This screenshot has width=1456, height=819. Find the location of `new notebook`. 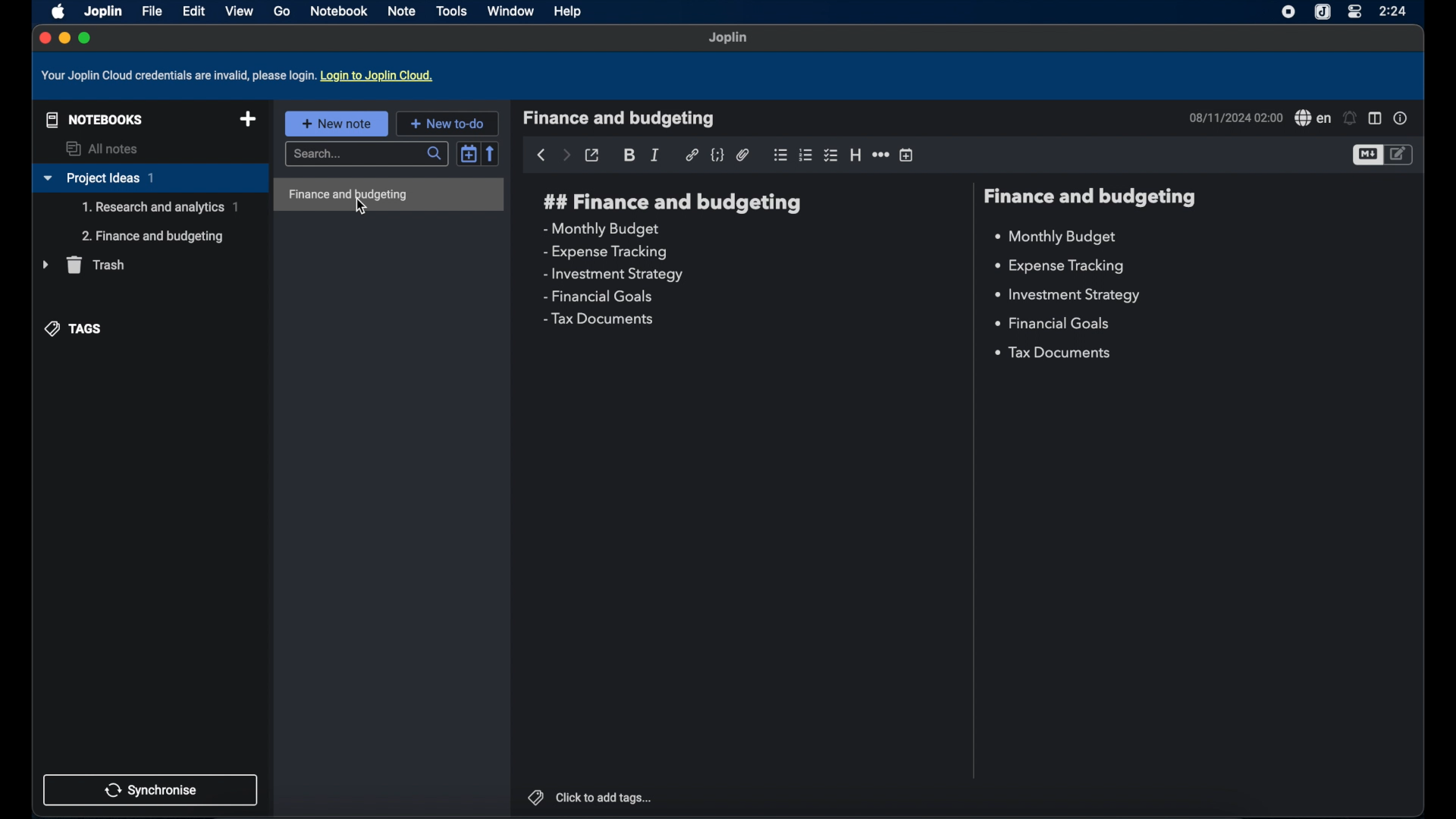

new notebook is located at coordinates (248, 120).